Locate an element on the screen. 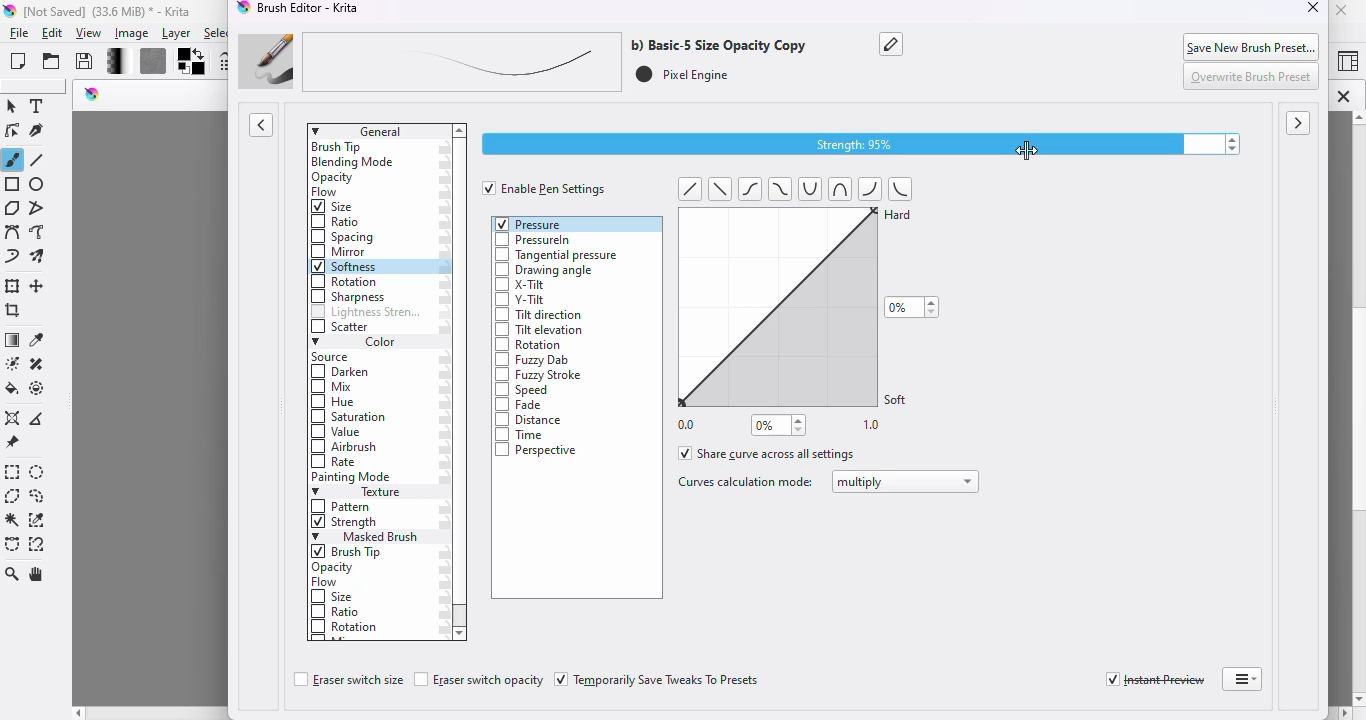  tild is located at coordinates (777, 188).